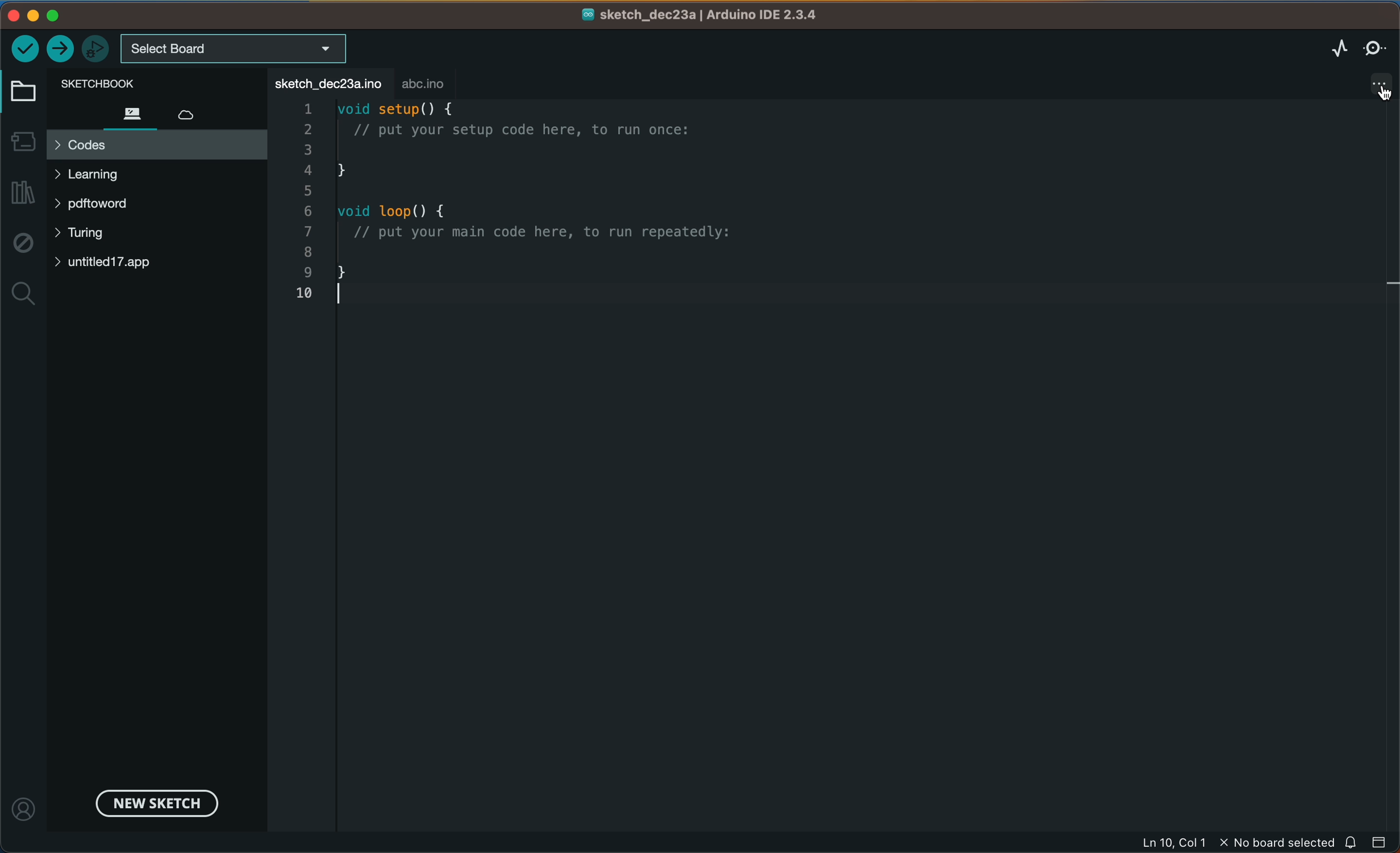 This screenshot has width=1400, height=853. What do you see at coordinates (118, 178) in the screenshot?
I see `learning` at bounding box center [118, 178].